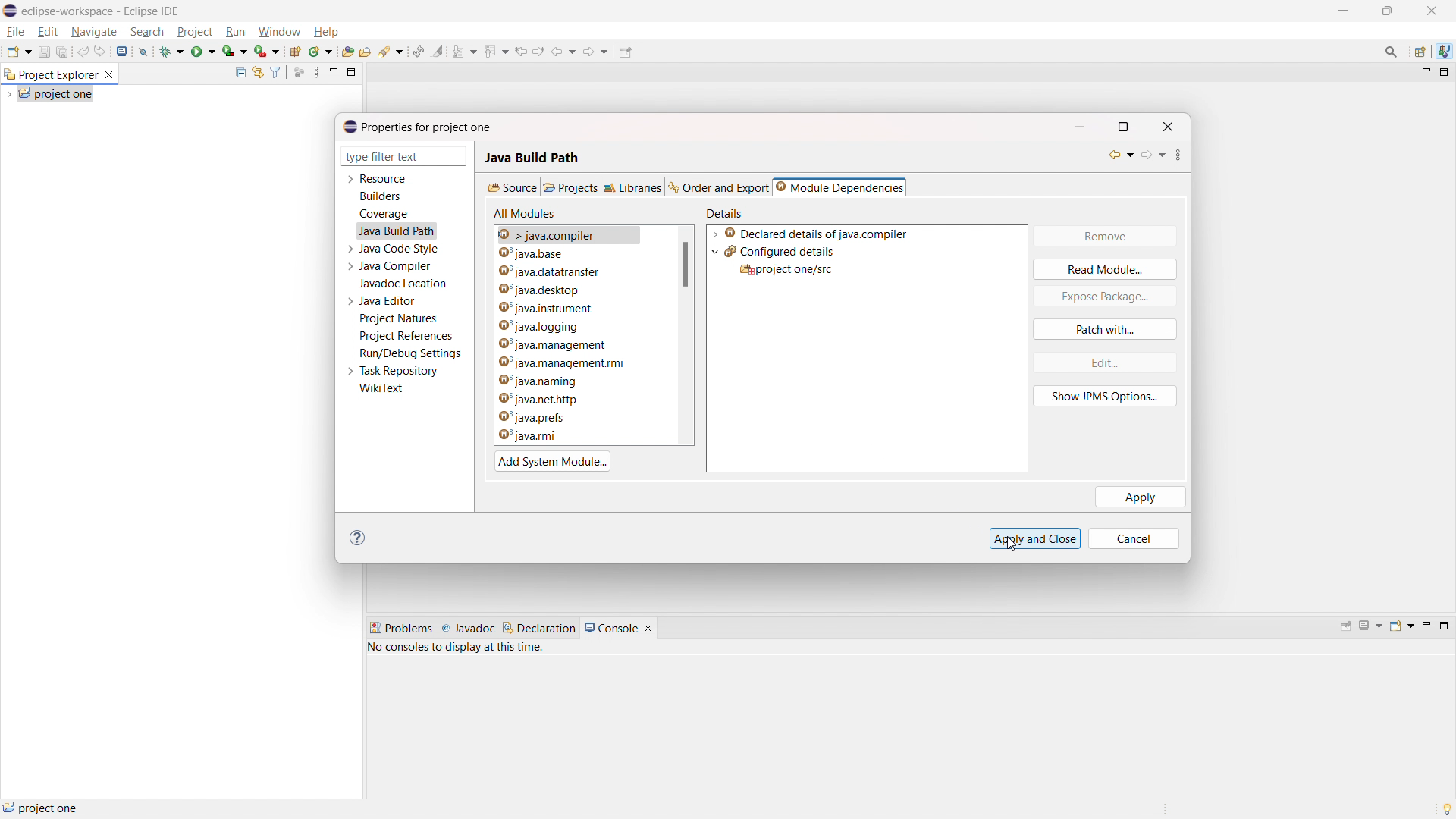 This screenshot has width=1456, height=819. I want to click on java, so click(1444, 52).